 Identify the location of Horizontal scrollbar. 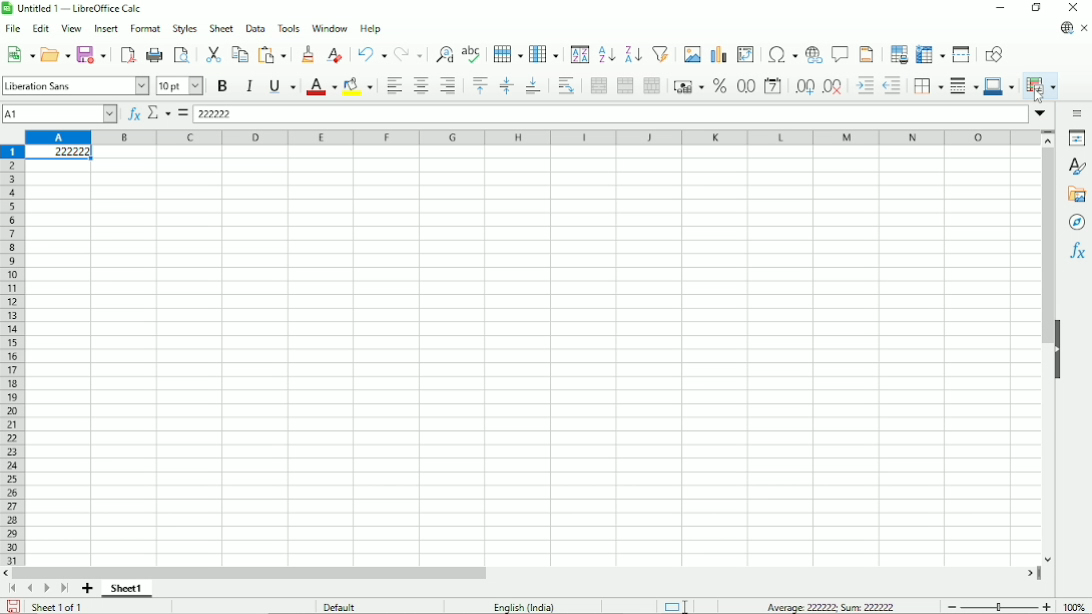
(254, 573).